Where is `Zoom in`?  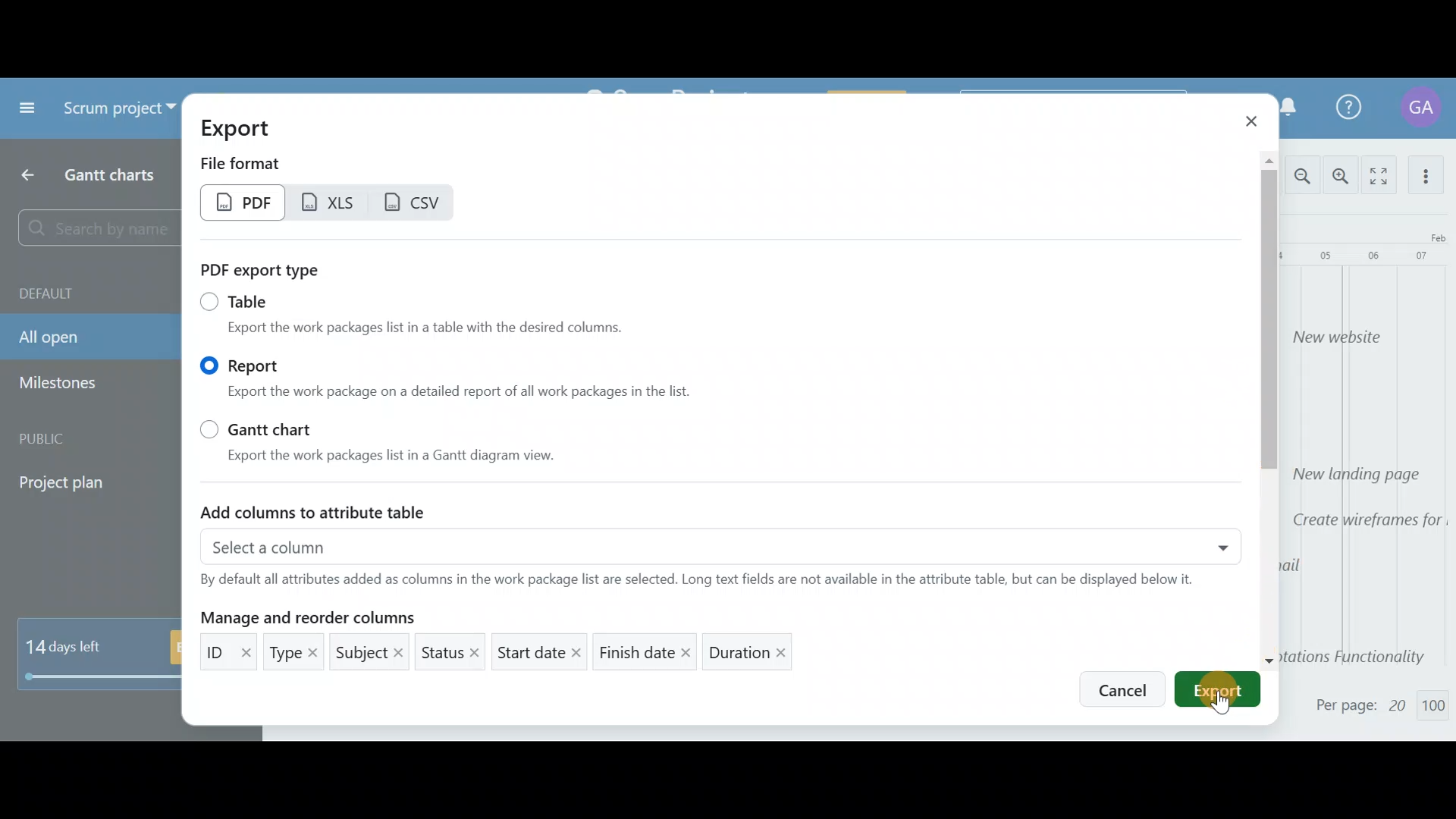 Zoom in is located at coordinates (1342, 177).